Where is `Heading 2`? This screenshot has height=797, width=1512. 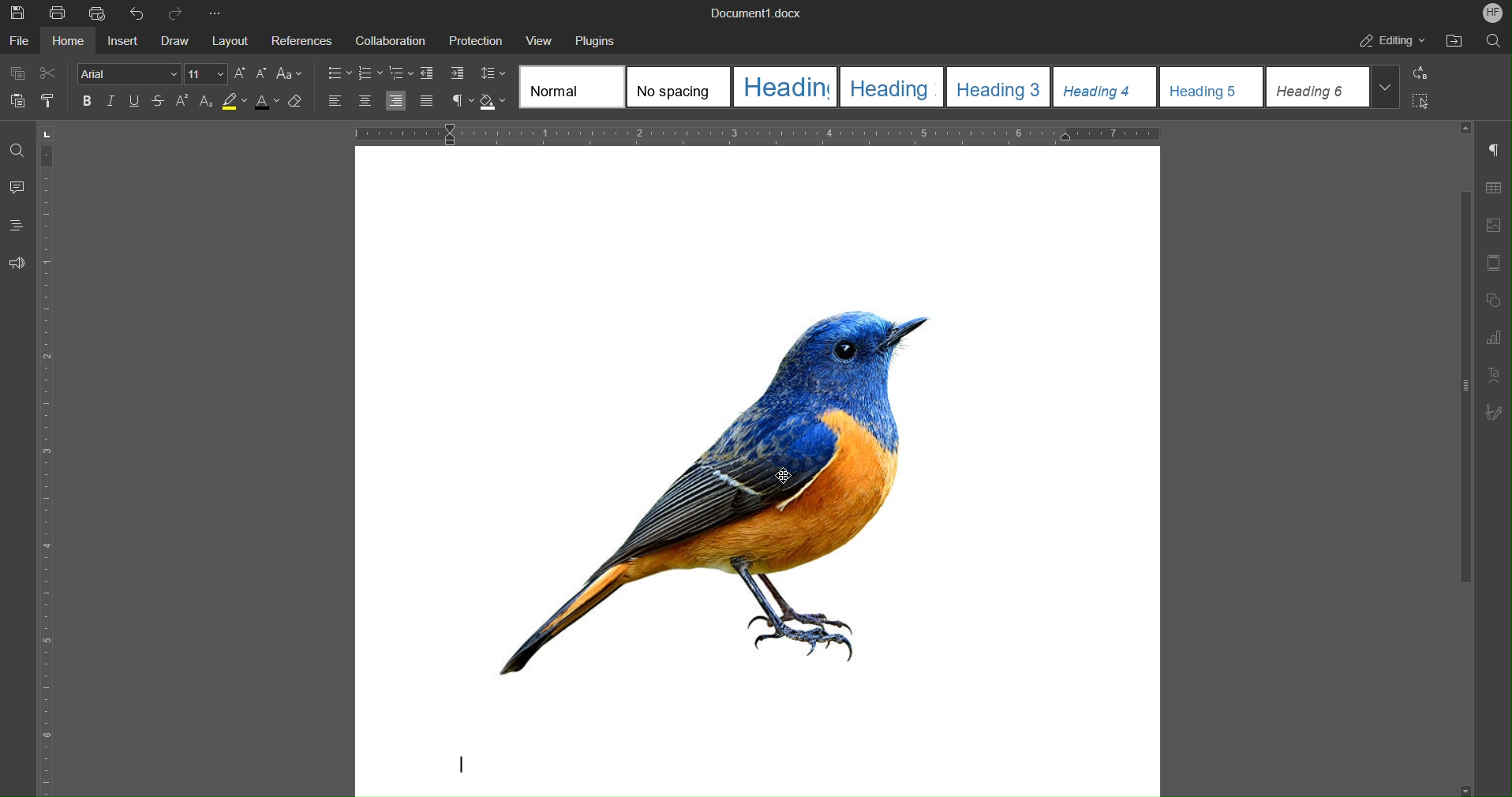
Heading 2 is located at coordinates (891, 86).